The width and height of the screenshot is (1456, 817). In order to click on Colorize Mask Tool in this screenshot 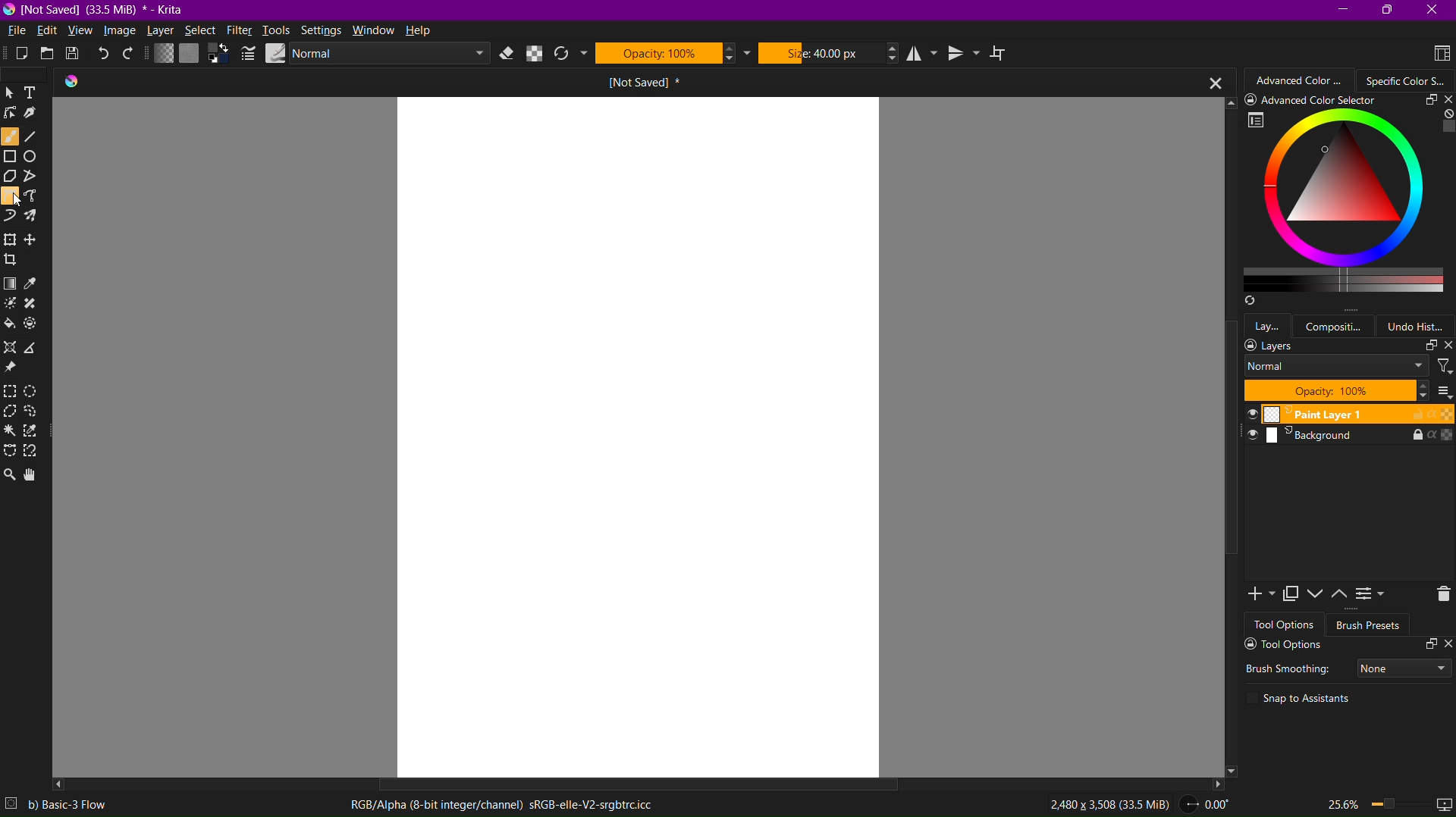, I will do `click(12, 305)`.